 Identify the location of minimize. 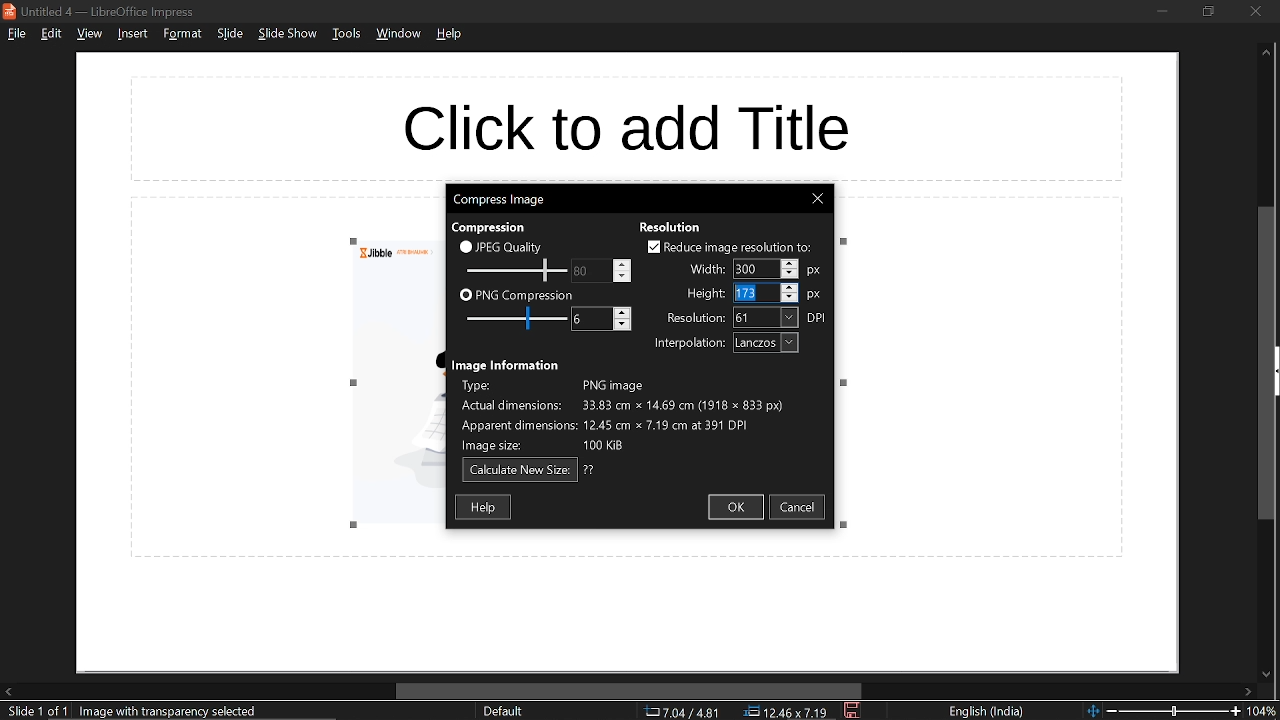
(1162, 11).